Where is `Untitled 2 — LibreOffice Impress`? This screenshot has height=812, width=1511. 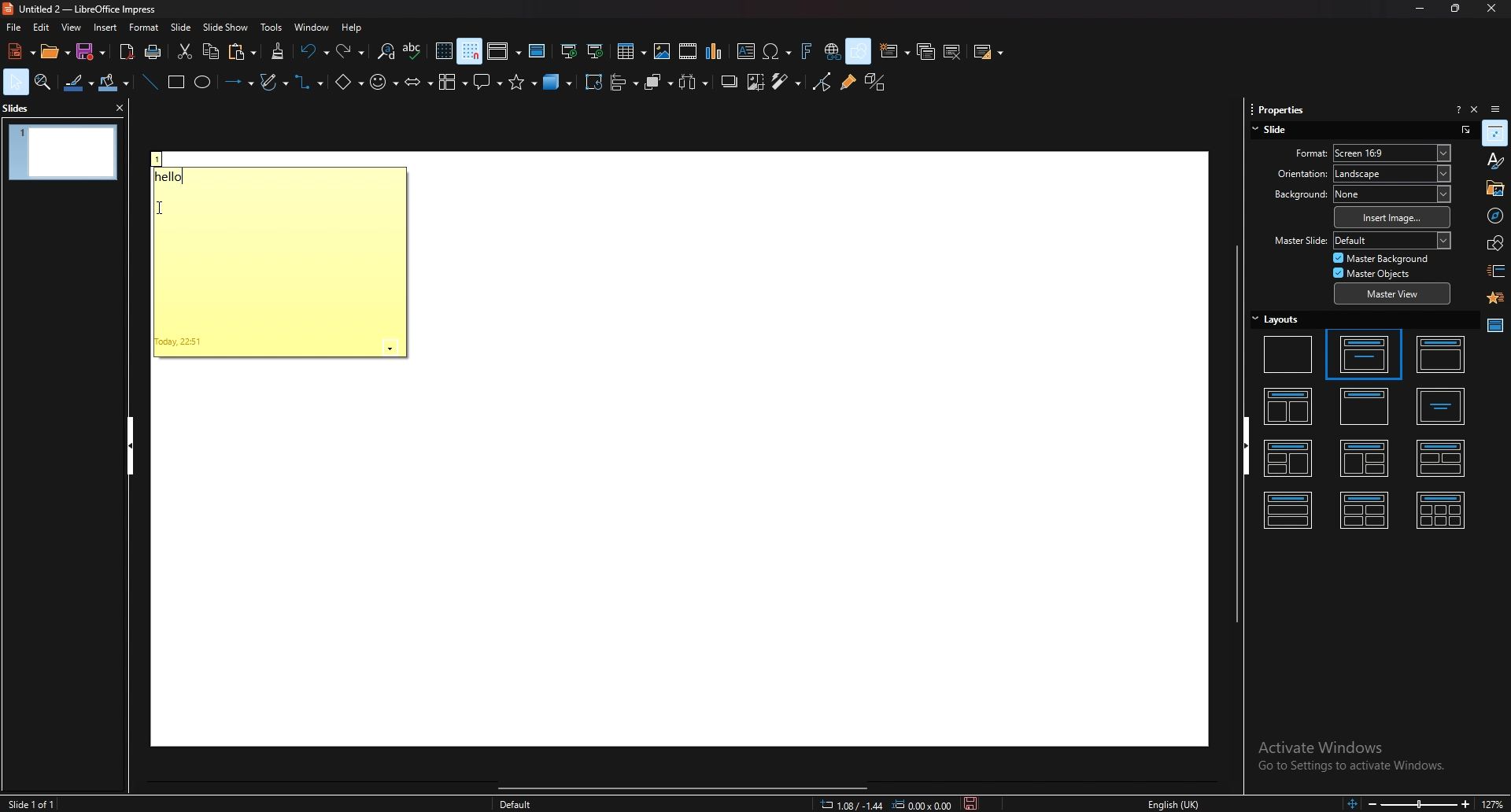
Untitled 2 — LibreOffice Impress is located at coordinates (89, 8).